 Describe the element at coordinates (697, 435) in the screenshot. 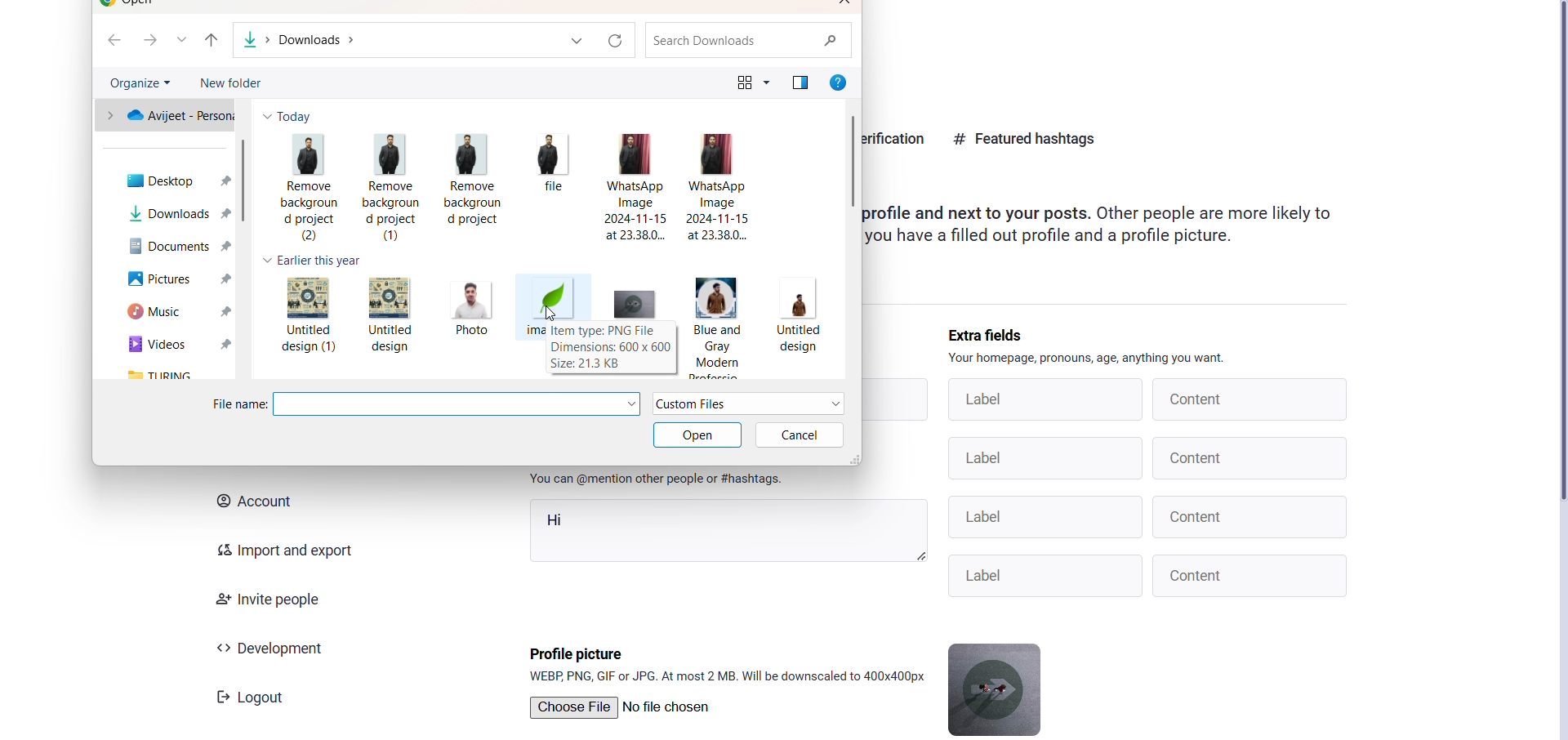

I see `open` at that location.